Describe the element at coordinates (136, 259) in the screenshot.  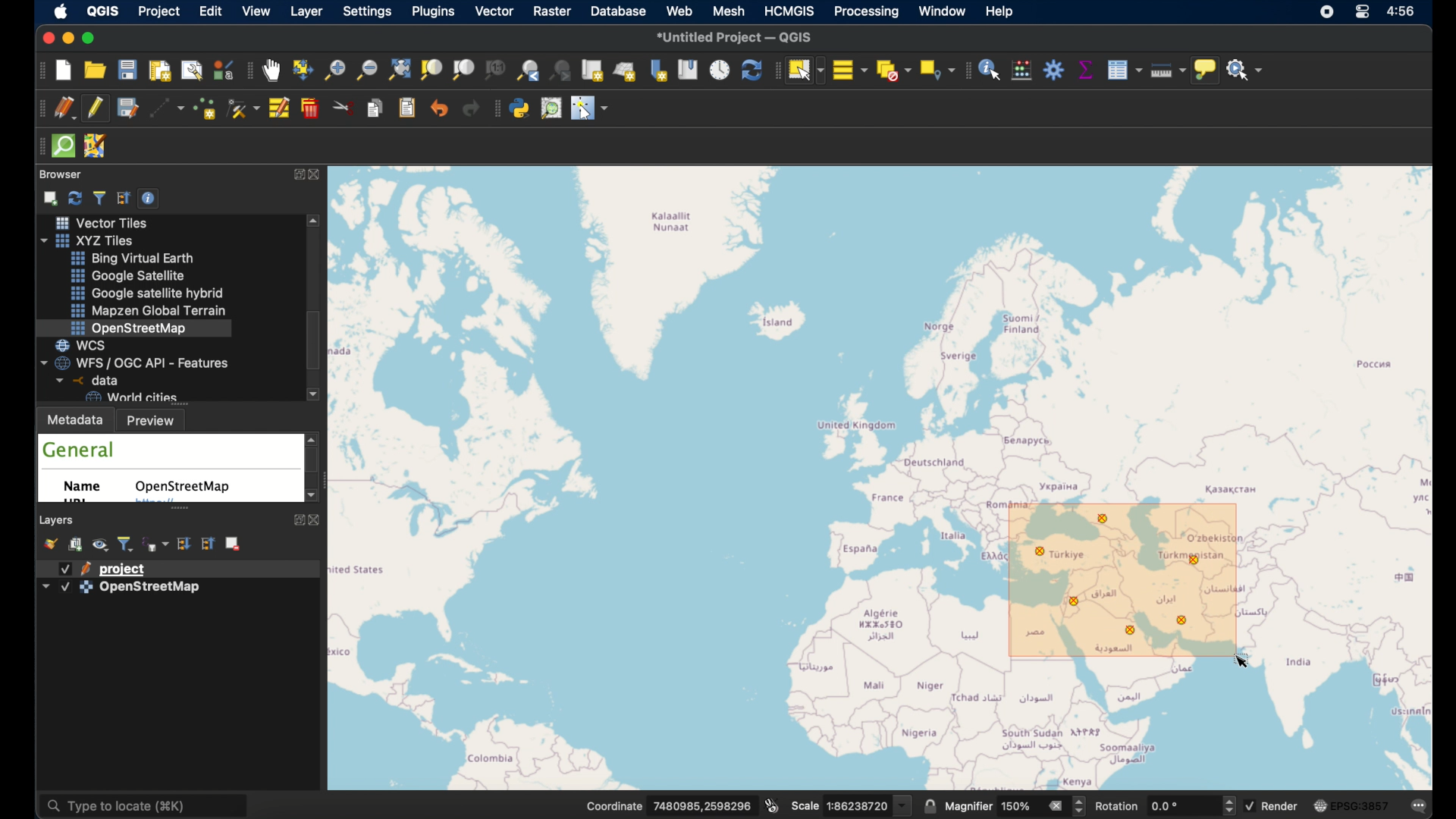
I see `bing virtual earth` at that location.